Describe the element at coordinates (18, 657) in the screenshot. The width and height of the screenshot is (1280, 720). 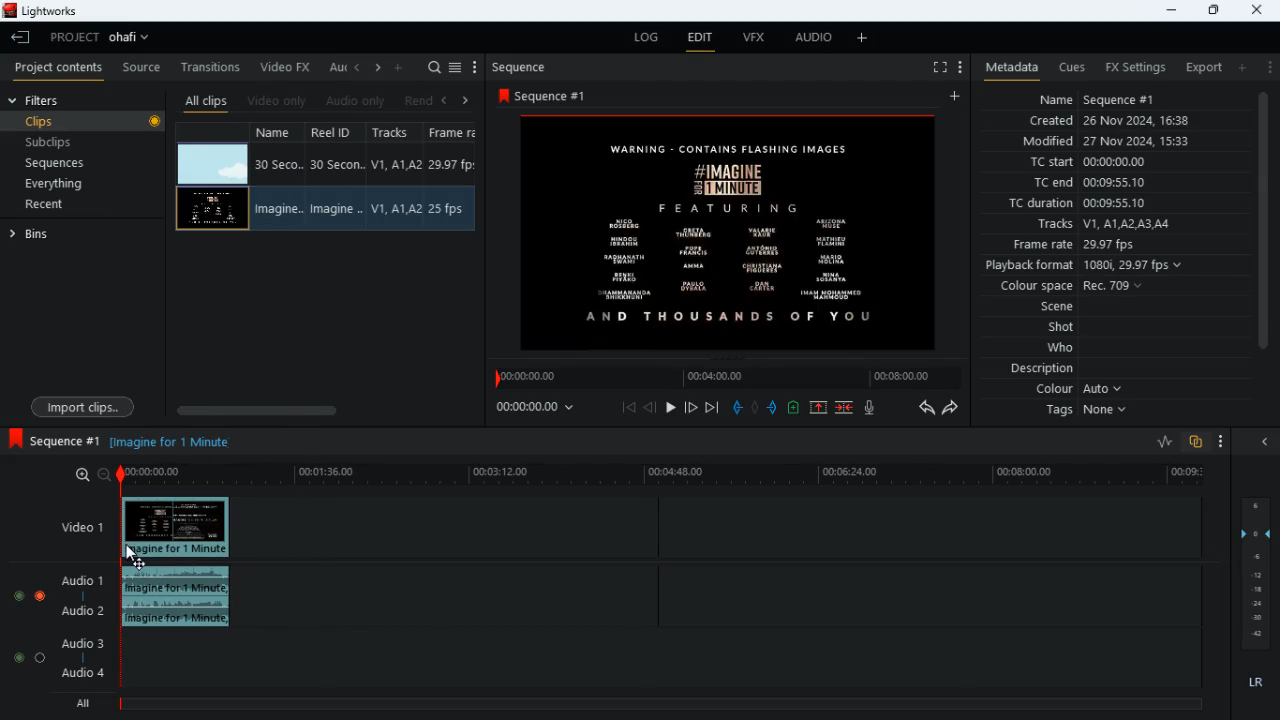
I see `toggle` at that location.